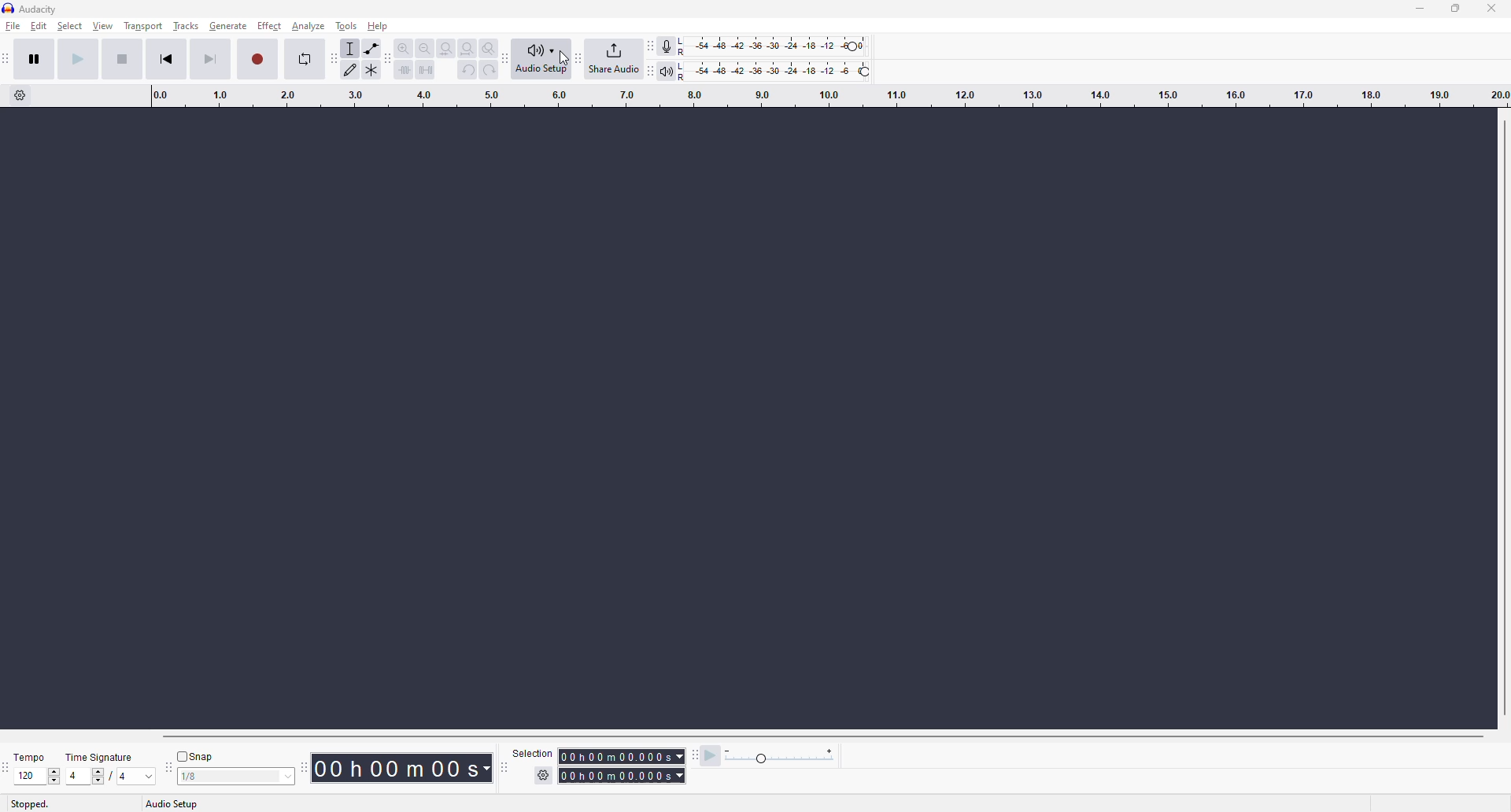 The width and height of the screenshot is (1511, 812). Describe the element at coordinates (530, 754) in the screenshot. I see `selection` at that location.